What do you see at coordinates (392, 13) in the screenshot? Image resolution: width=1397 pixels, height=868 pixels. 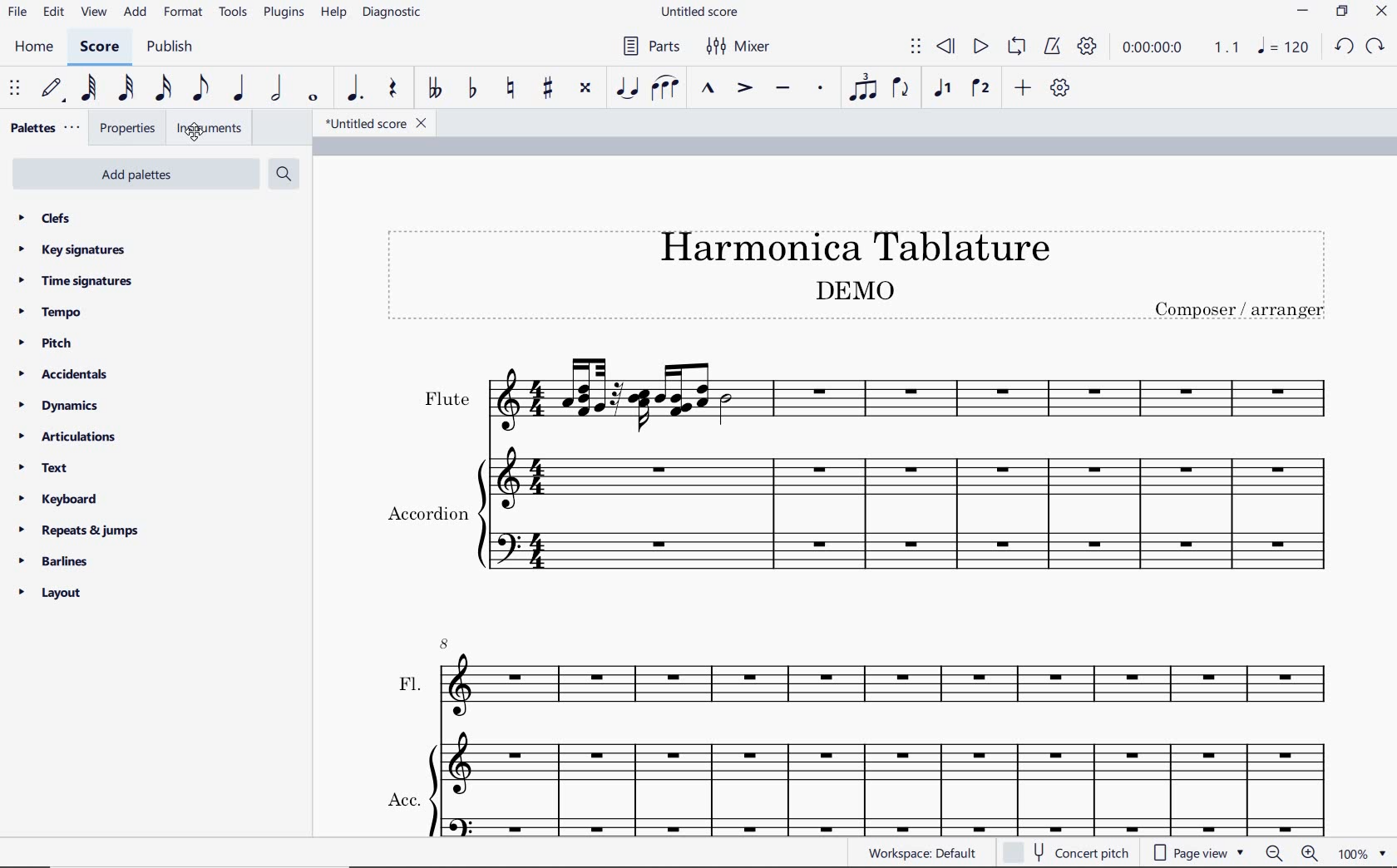 I see `diagnostic` at bounding box center [392, 13].